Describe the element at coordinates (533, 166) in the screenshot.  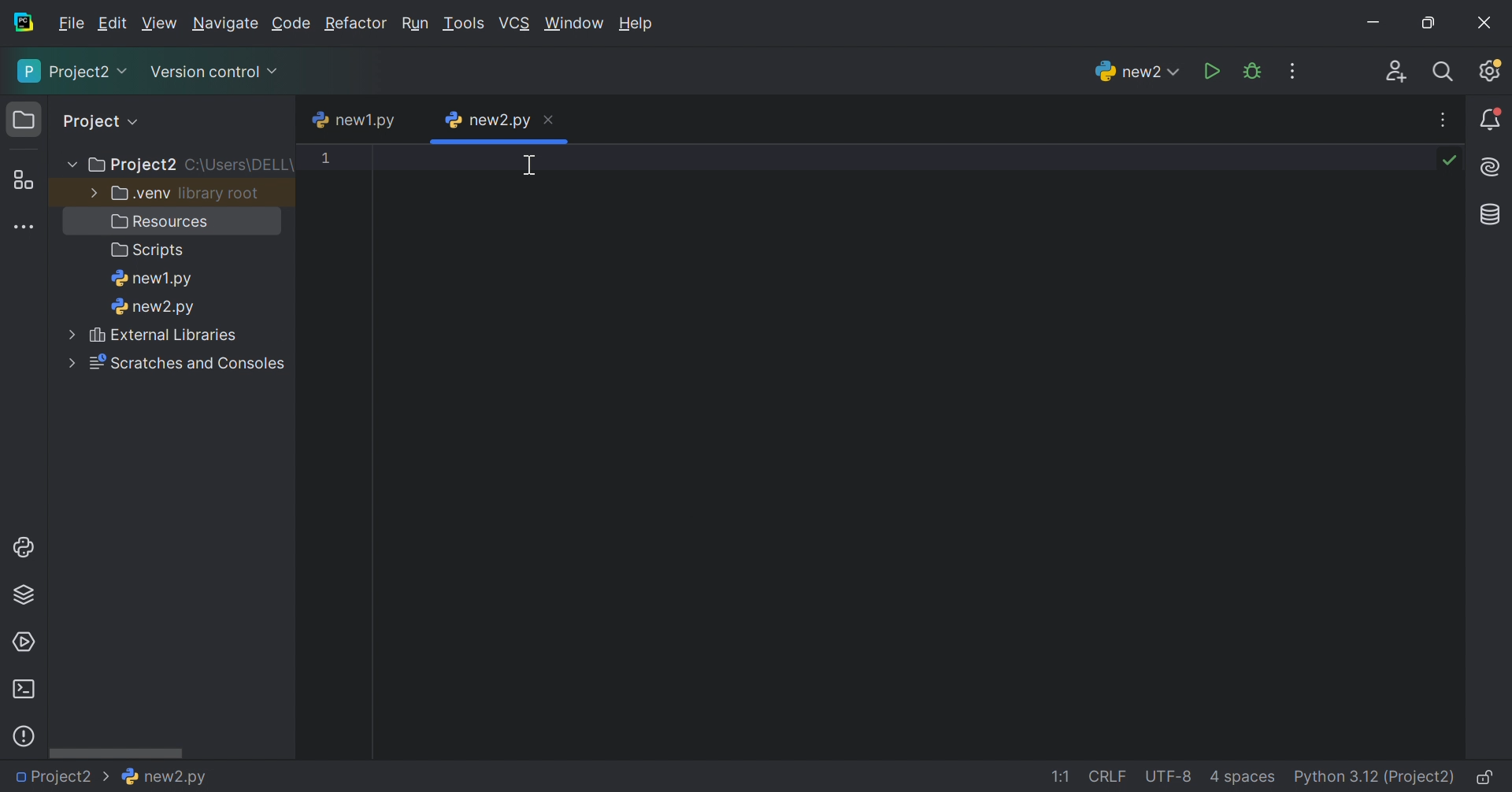
I see `Cursor` at that location.